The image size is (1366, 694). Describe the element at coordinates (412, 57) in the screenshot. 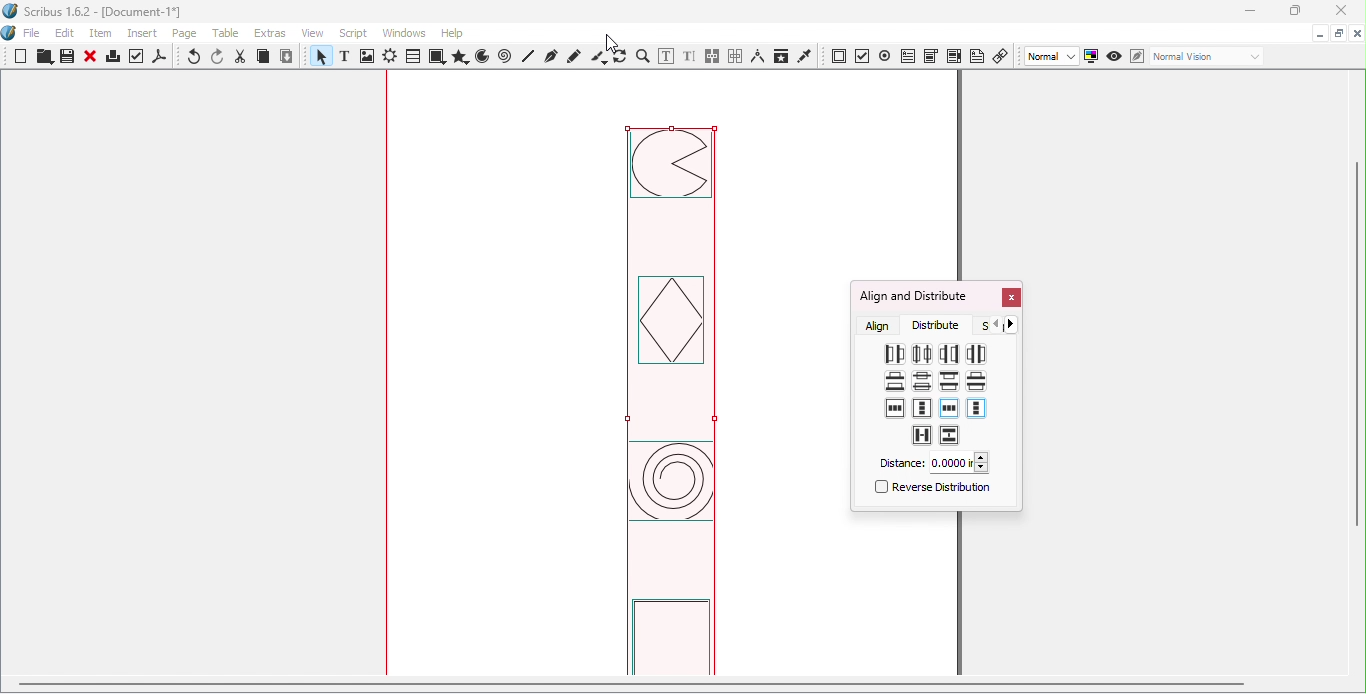

I see `Table` at that location.